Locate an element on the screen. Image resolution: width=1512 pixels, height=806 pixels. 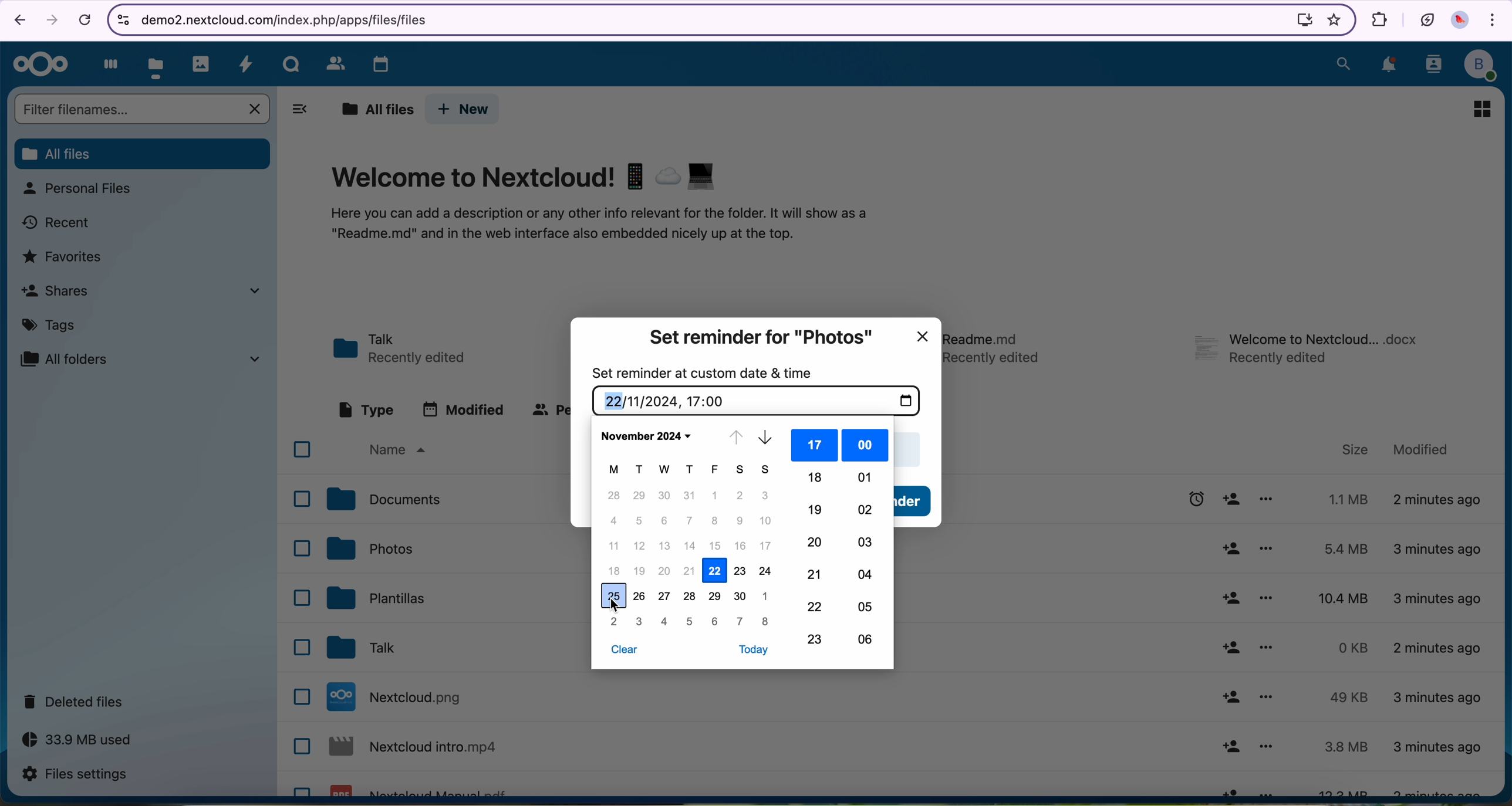
install Nextcloud is located at coordinates (1300, 21).